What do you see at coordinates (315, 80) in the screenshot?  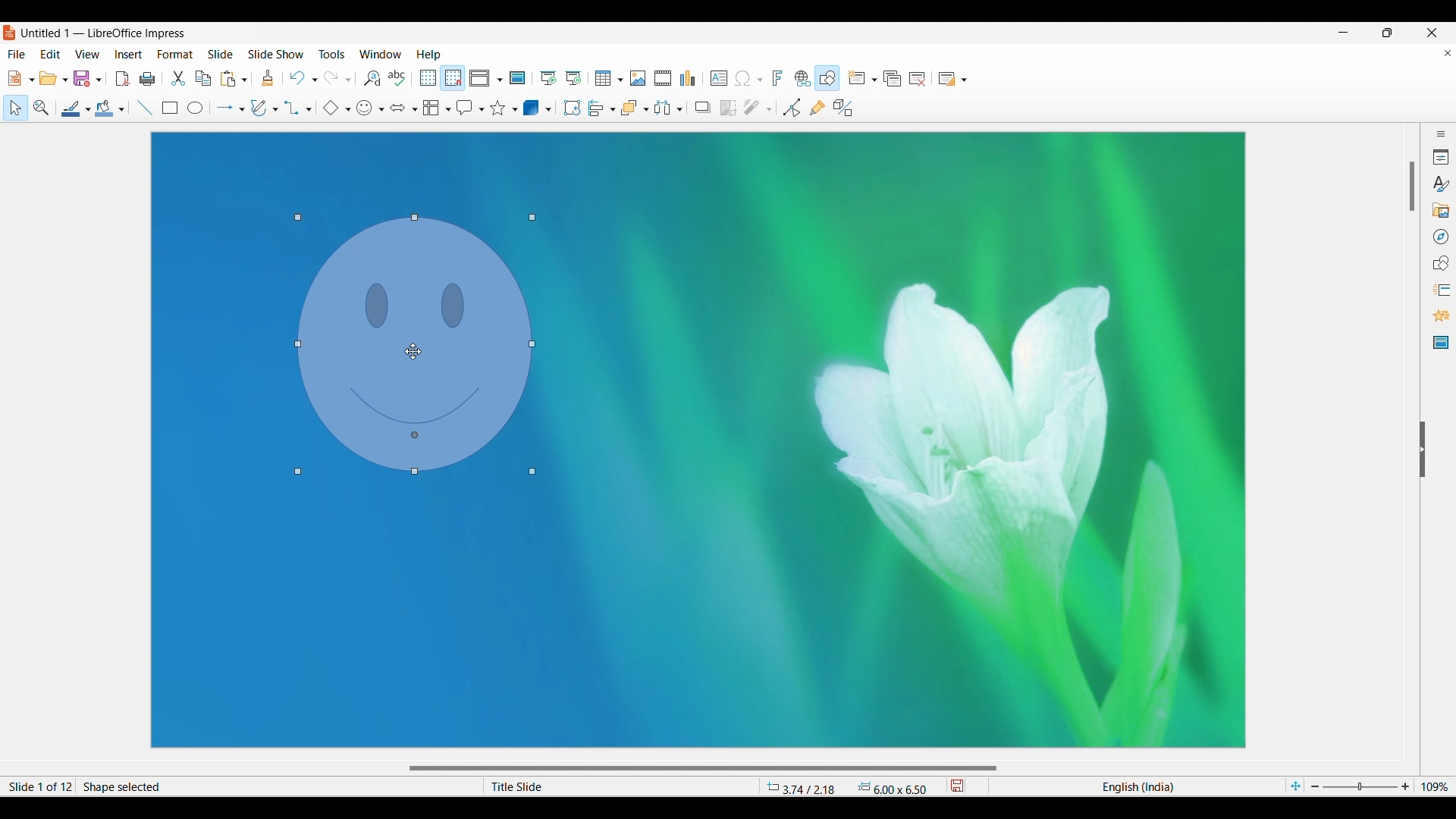 I see `Undo specific action` at bounding box center [315, 80].